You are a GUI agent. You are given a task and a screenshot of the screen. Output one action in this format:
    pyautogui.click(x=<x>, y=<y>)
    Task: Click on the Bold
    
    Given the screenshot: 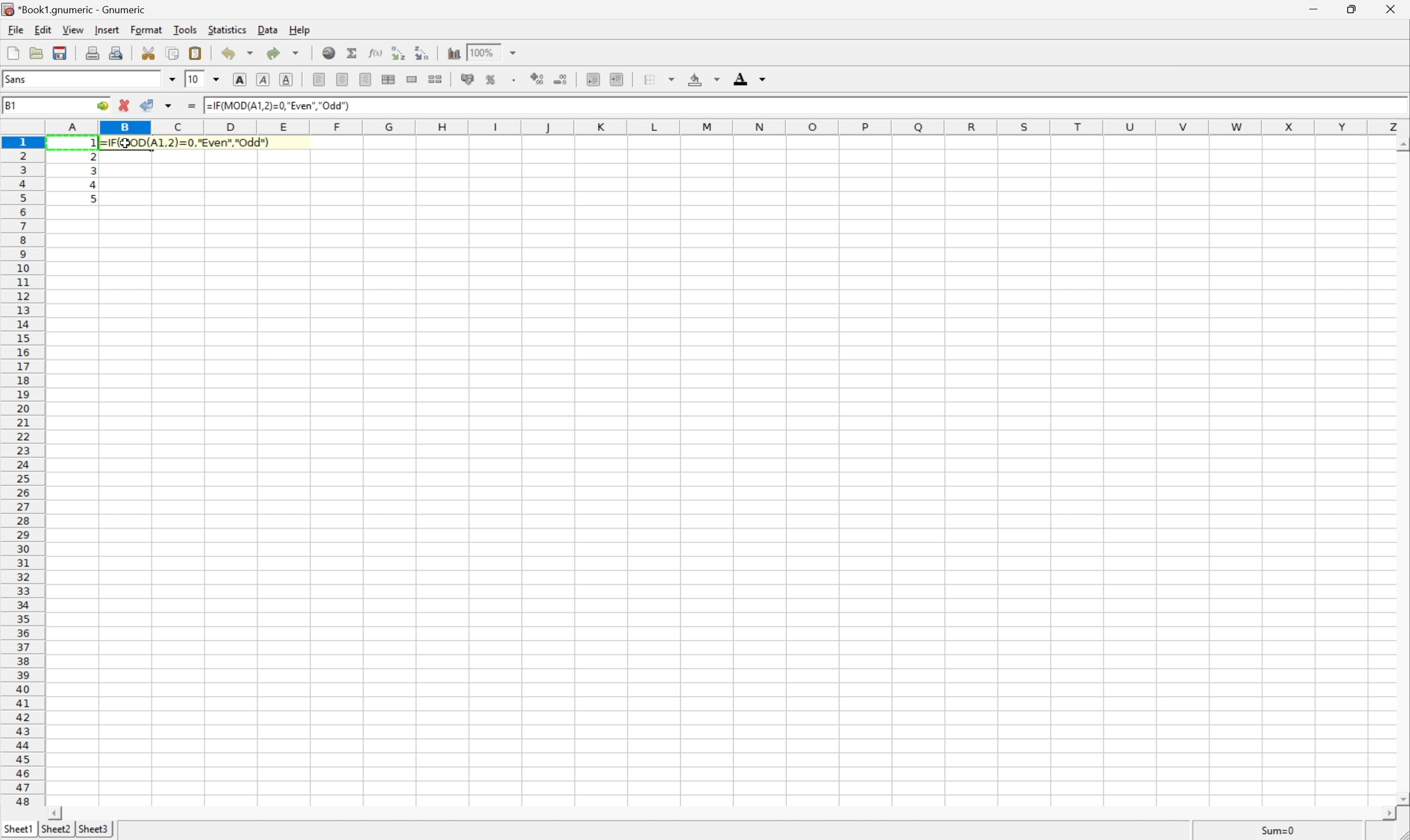 What is the action you would take?
    pyautogui.click(x=239, y=78)
    